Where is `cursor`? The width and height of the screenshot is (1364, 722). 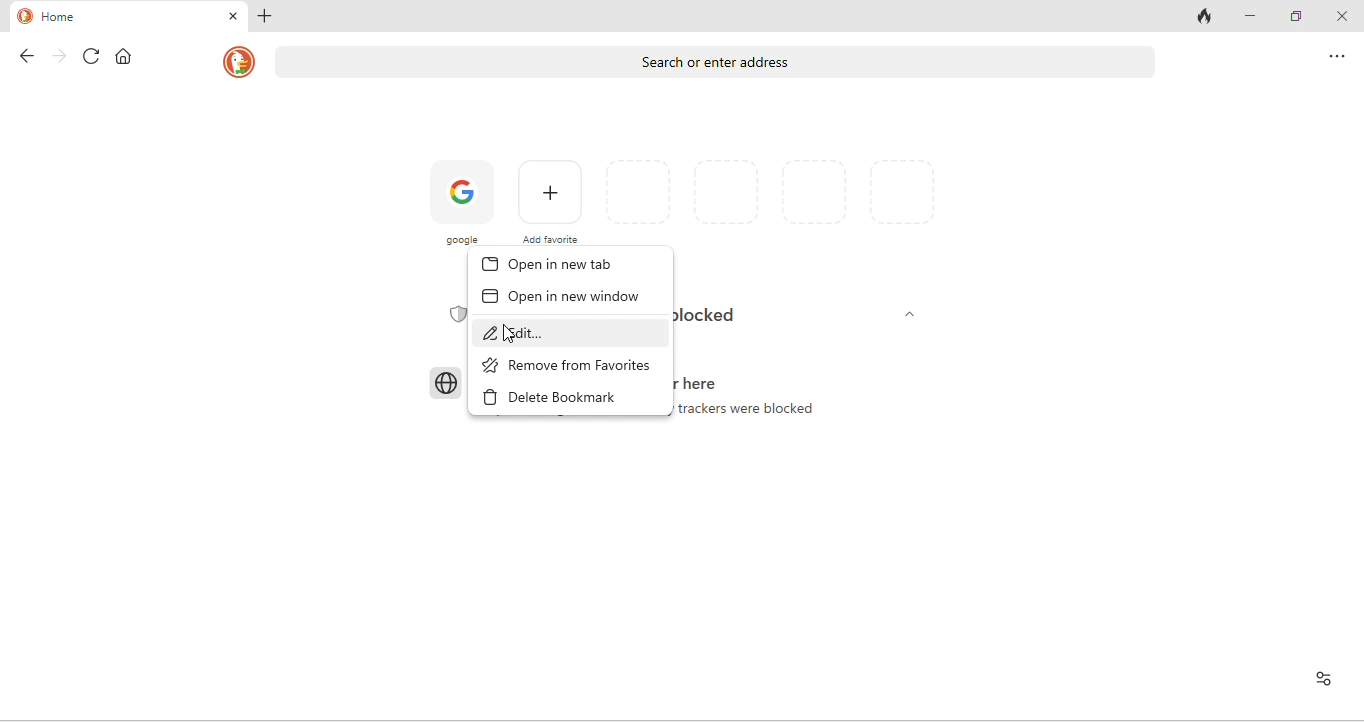
cursor is located at coordinates (506, 332).